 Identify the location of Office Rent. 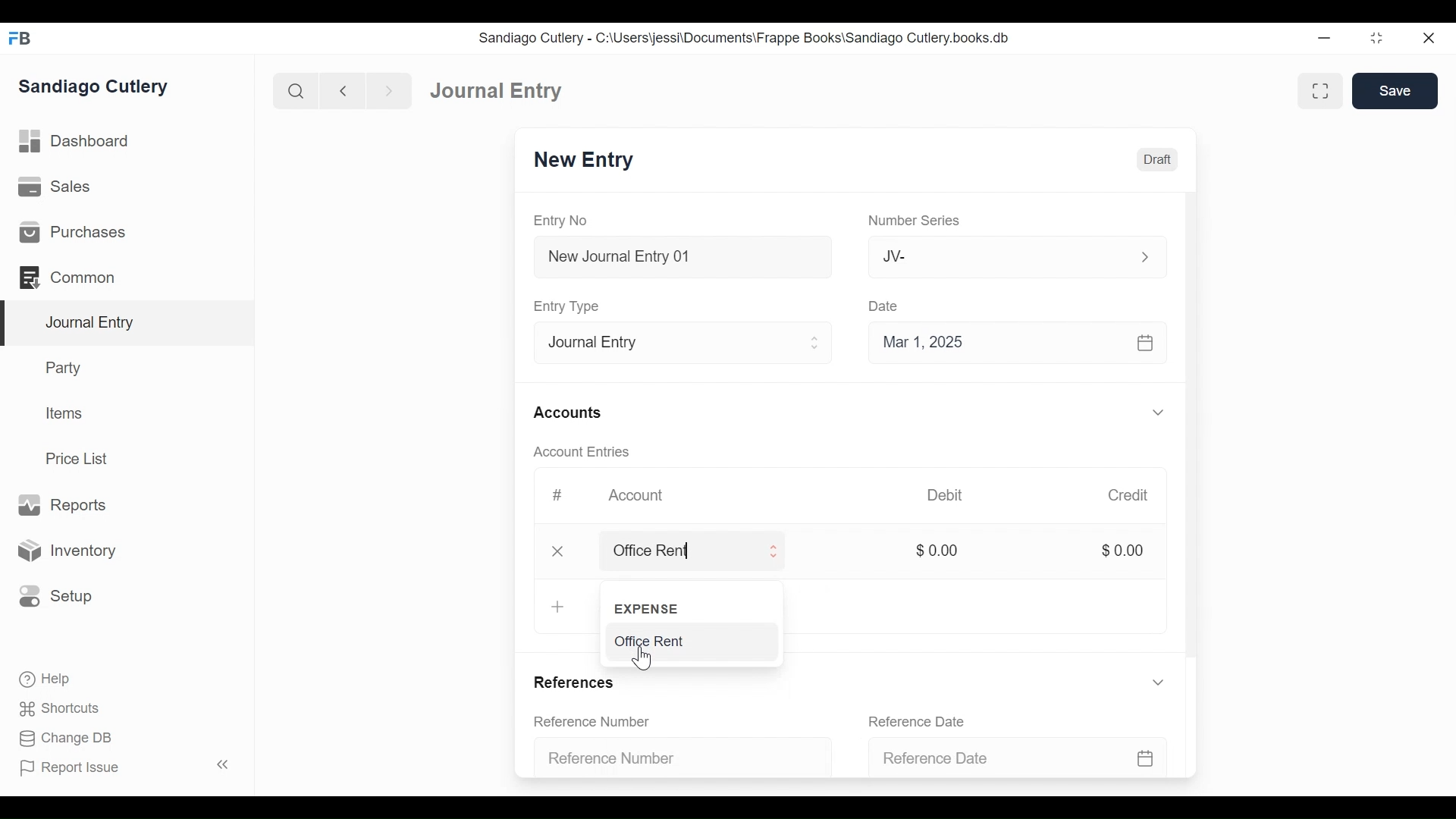
(690, 642).